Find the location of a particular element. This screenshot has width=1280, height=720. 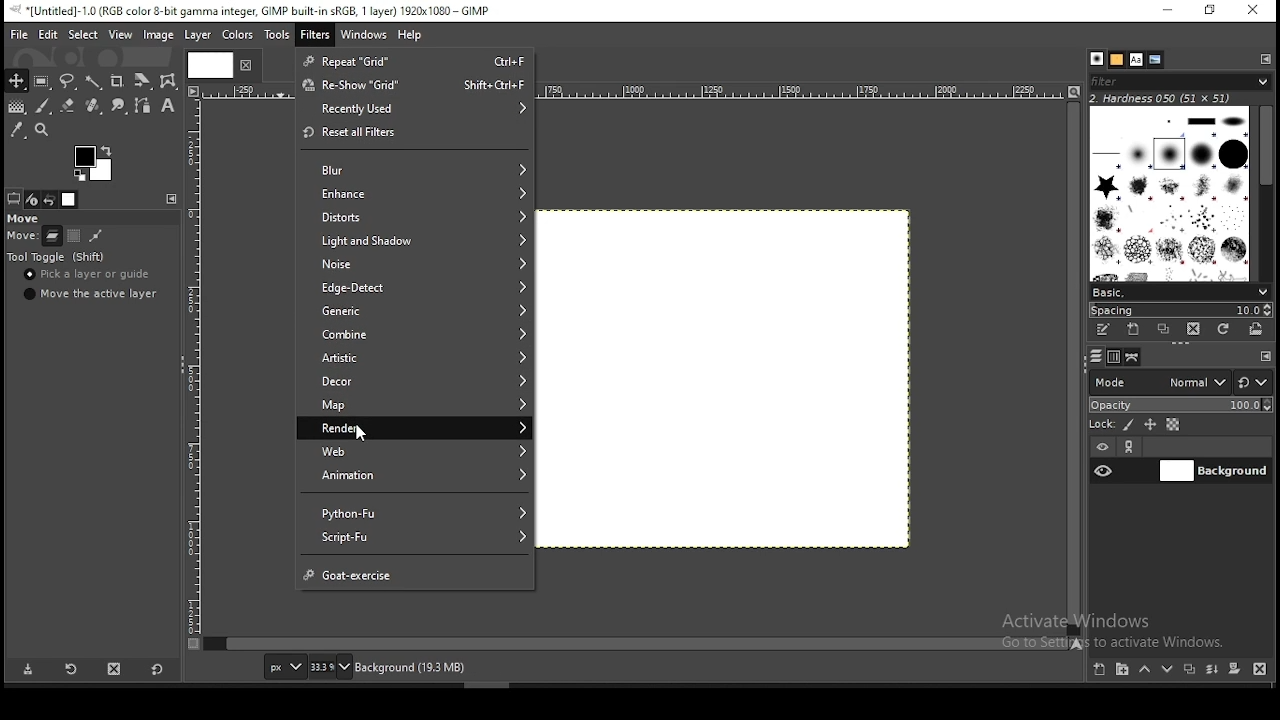

reshow is located at coordinates (416, 84).